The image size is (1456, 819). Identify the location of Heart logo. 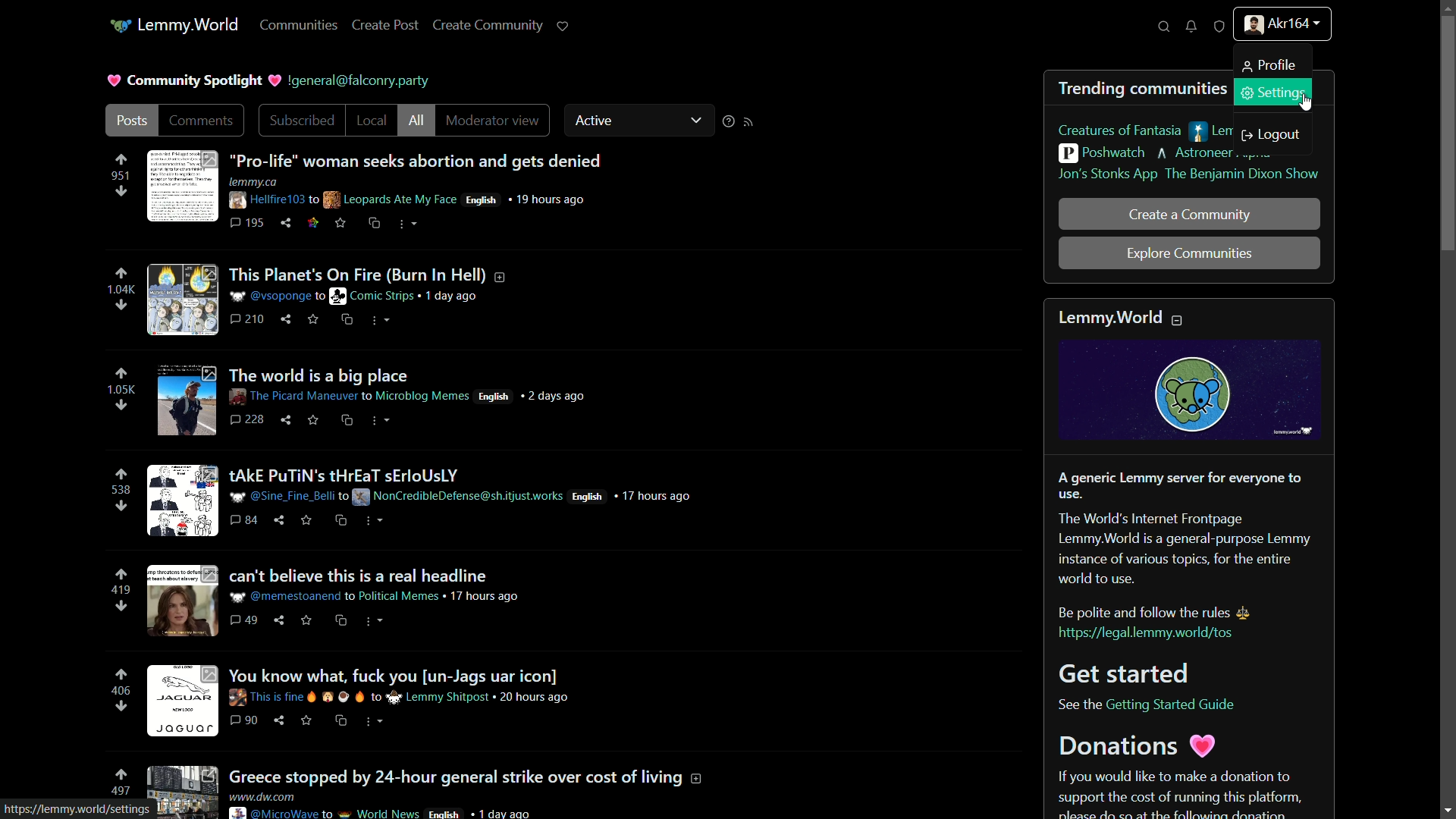
(111, 80).